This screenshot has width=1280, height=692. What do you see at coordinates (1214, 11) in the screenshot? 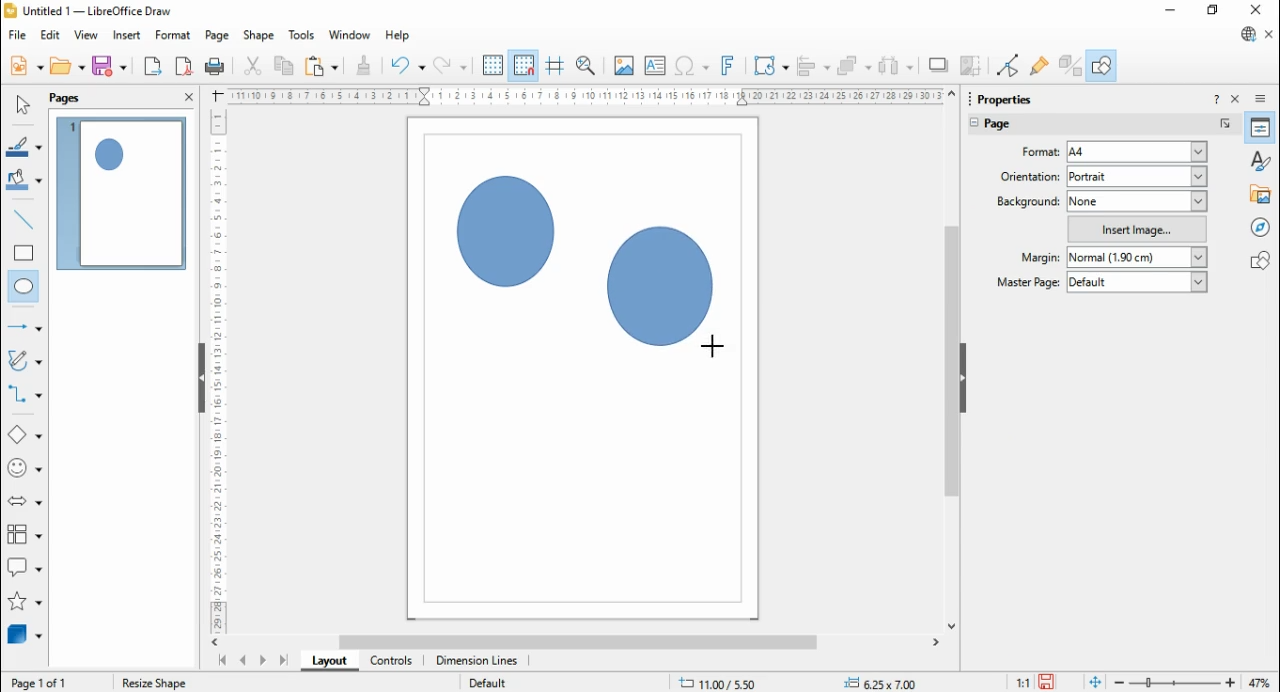
I see `restore` at bounding box center [1214, 11].